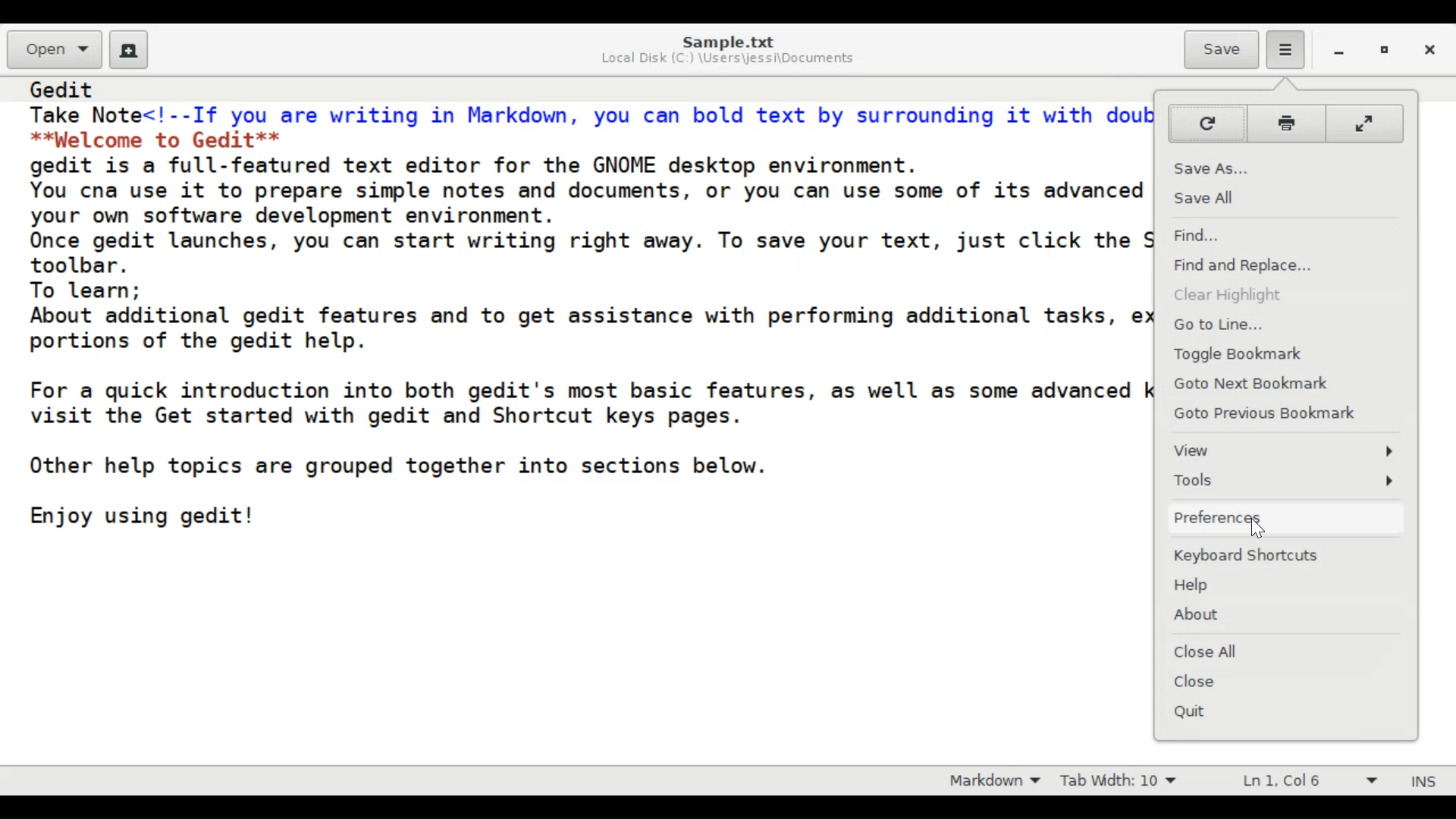 This screenshot has width=1456, height=819. What do you see at coordinates (1203, 237) in the screenshot?
I see `Find` at bounding box center [1203, 237].